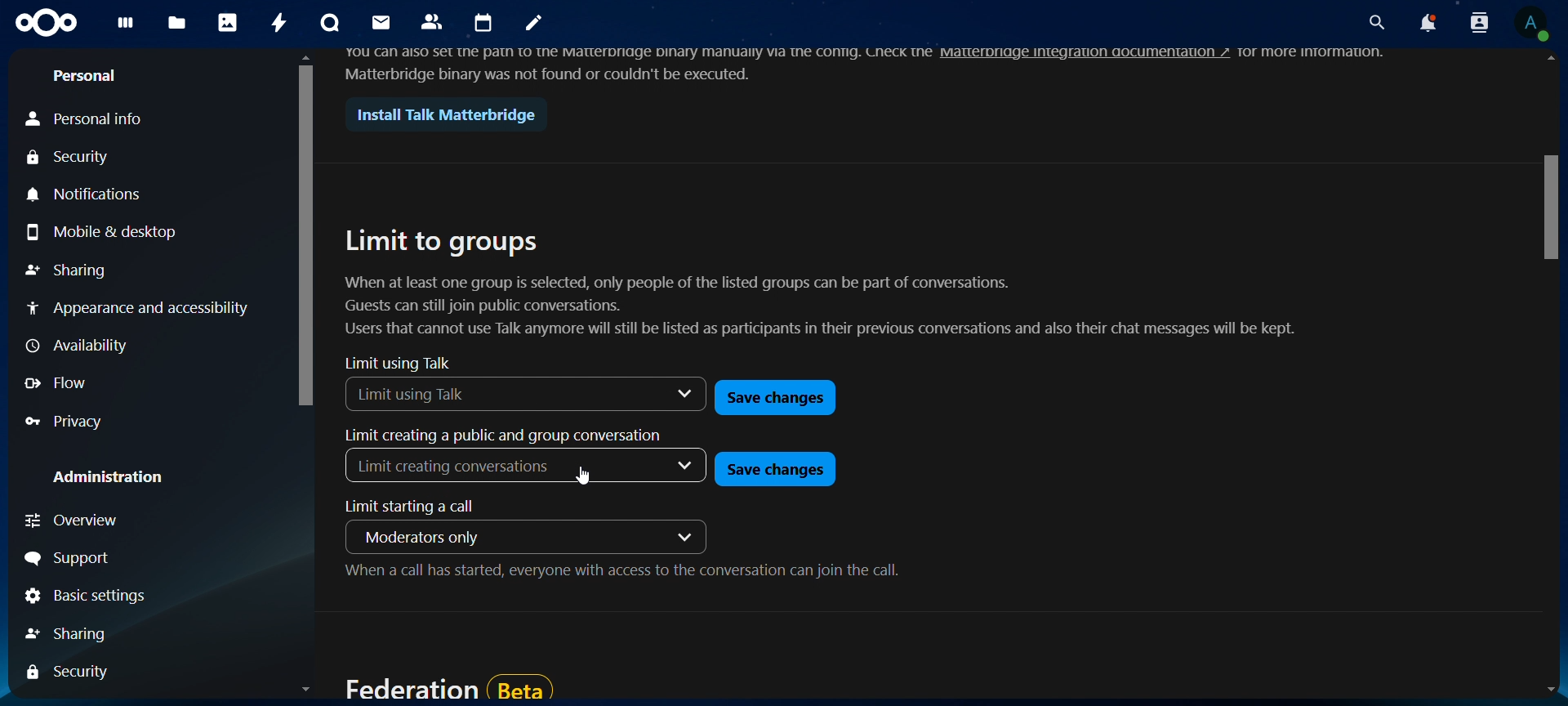  Describe the element at coordinates (816, 309) in the screenshot. I see `When at least one group is selected, only people of the listed groups can be part of conversations.
Guests can still join public conversations.
Users that cannot use Talk anymore will still be listed as participants in their previous conversations and also their chat messages will be kept.` at that location.